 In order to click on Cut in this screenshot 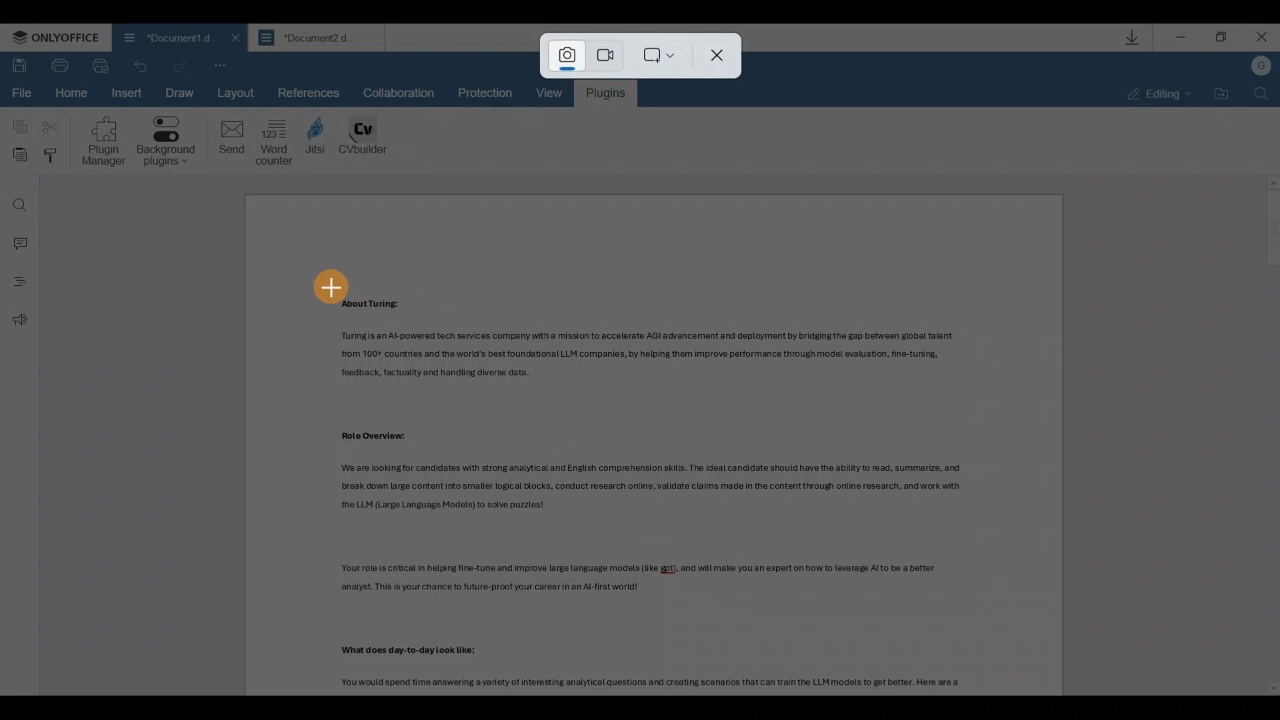, I will do `click(52, 128)`.